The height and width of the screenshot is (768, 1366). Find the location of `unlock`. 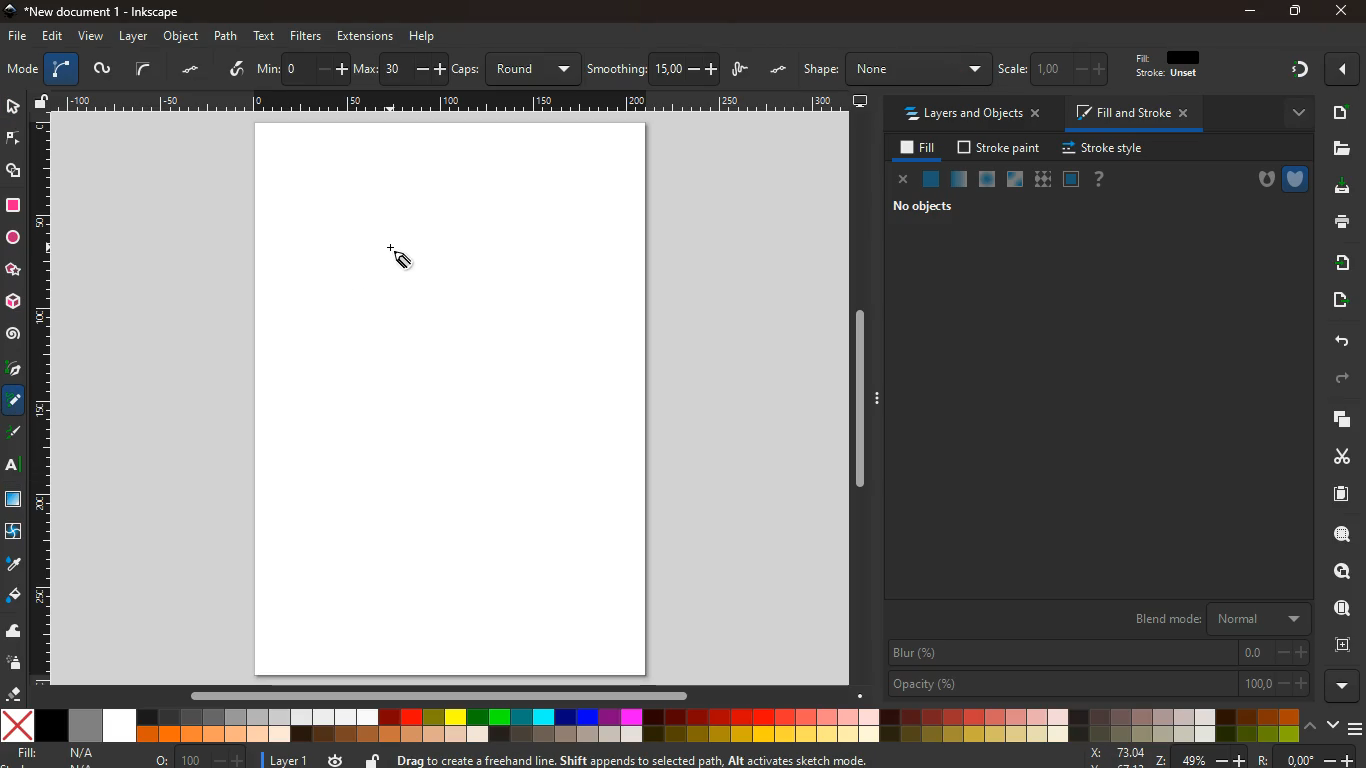

unlock is located at coordinates (43, 103).